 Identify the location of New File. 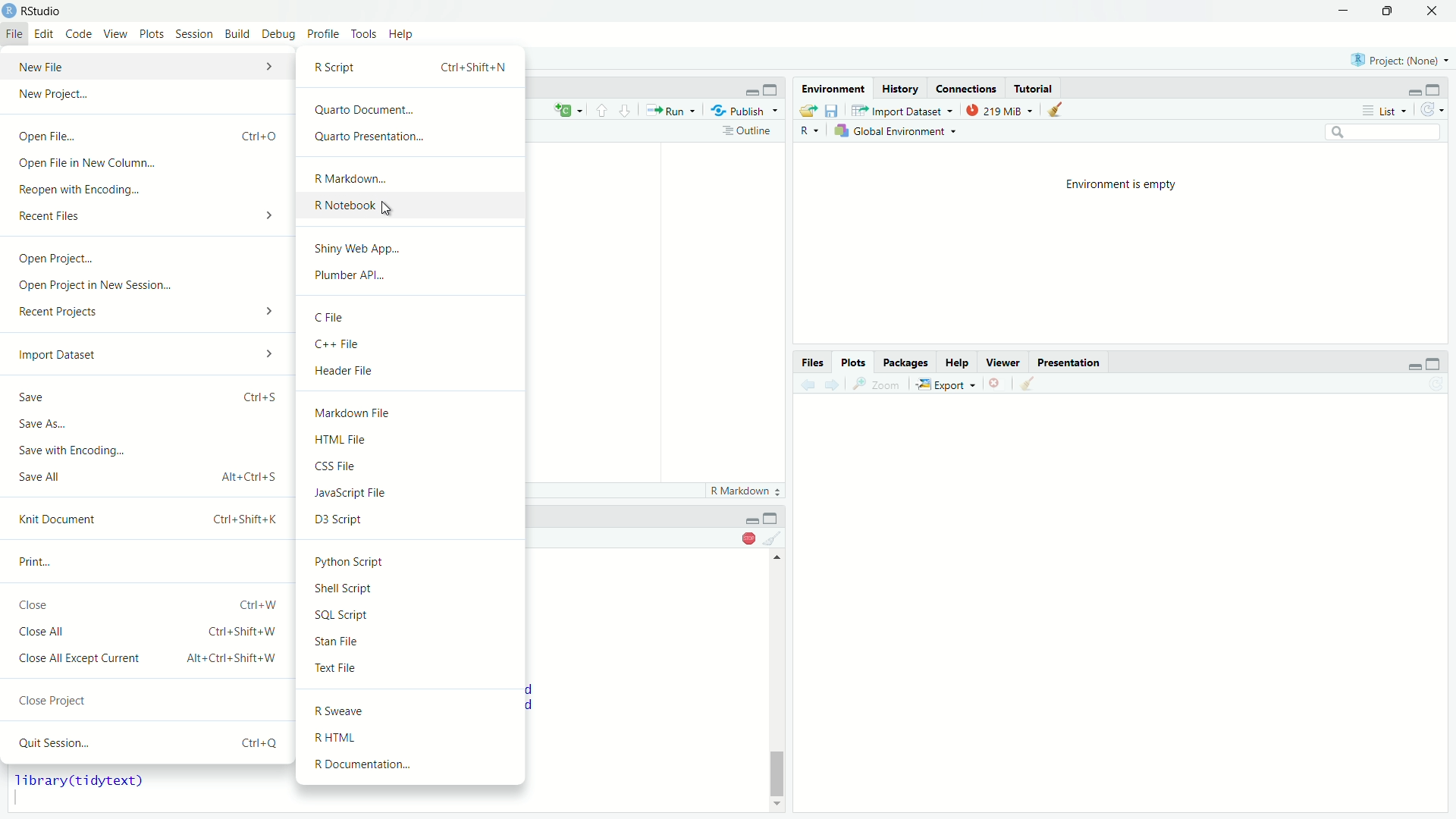
(147, 66).